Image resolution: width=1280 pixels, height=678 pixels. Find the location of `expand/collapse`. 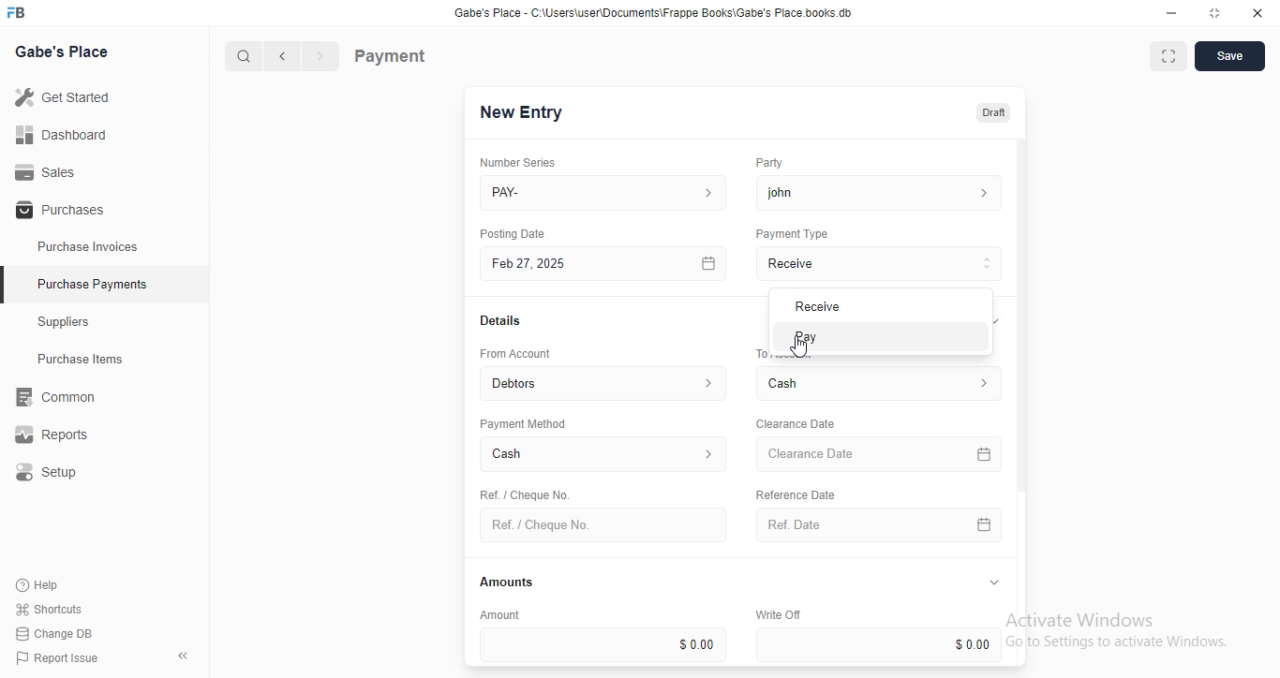

expand/collapse is located at coordinates (993, 583).